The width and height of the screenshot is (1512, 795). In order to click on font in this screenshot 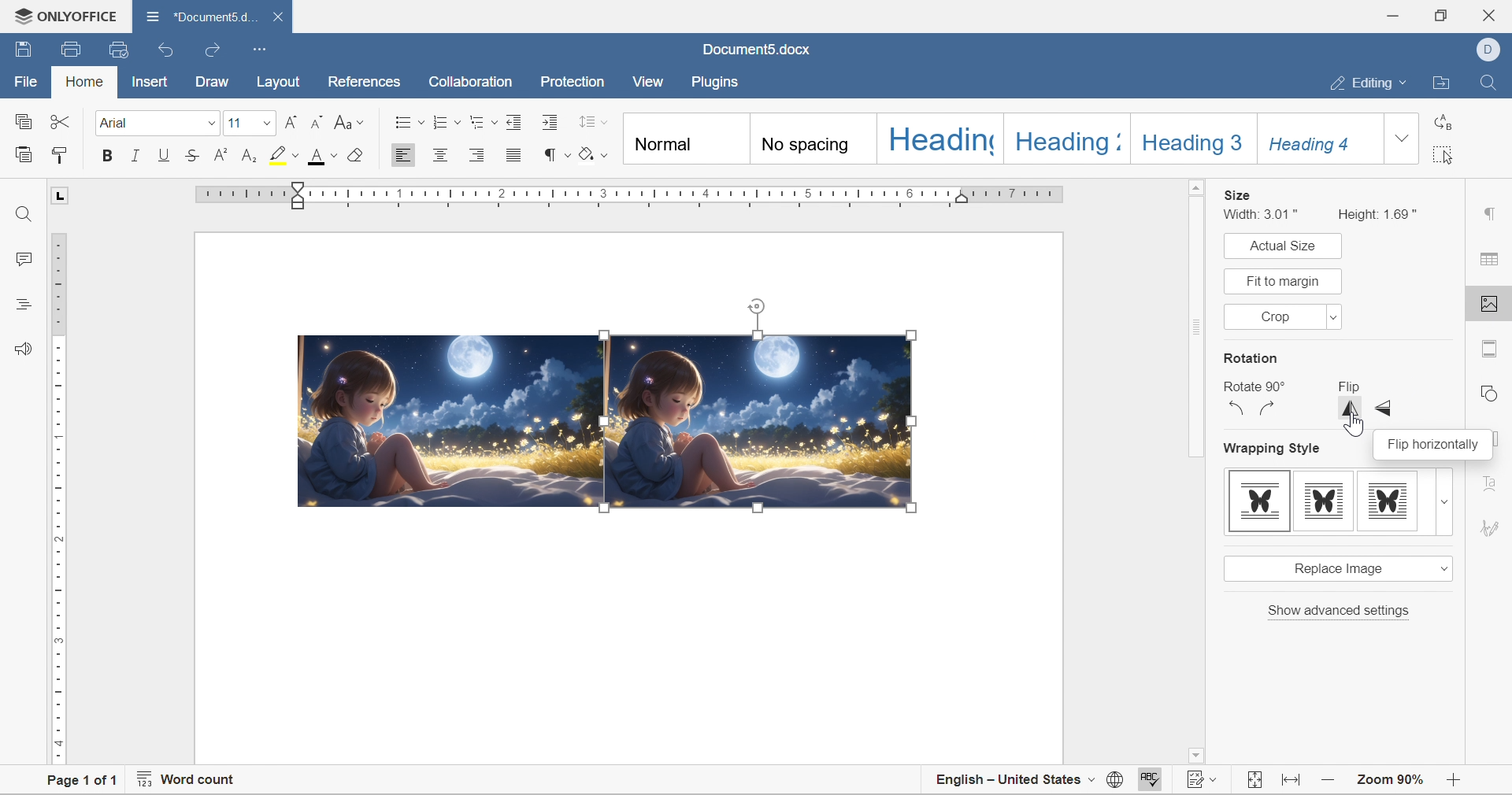, I will do `click(118, 122)`.